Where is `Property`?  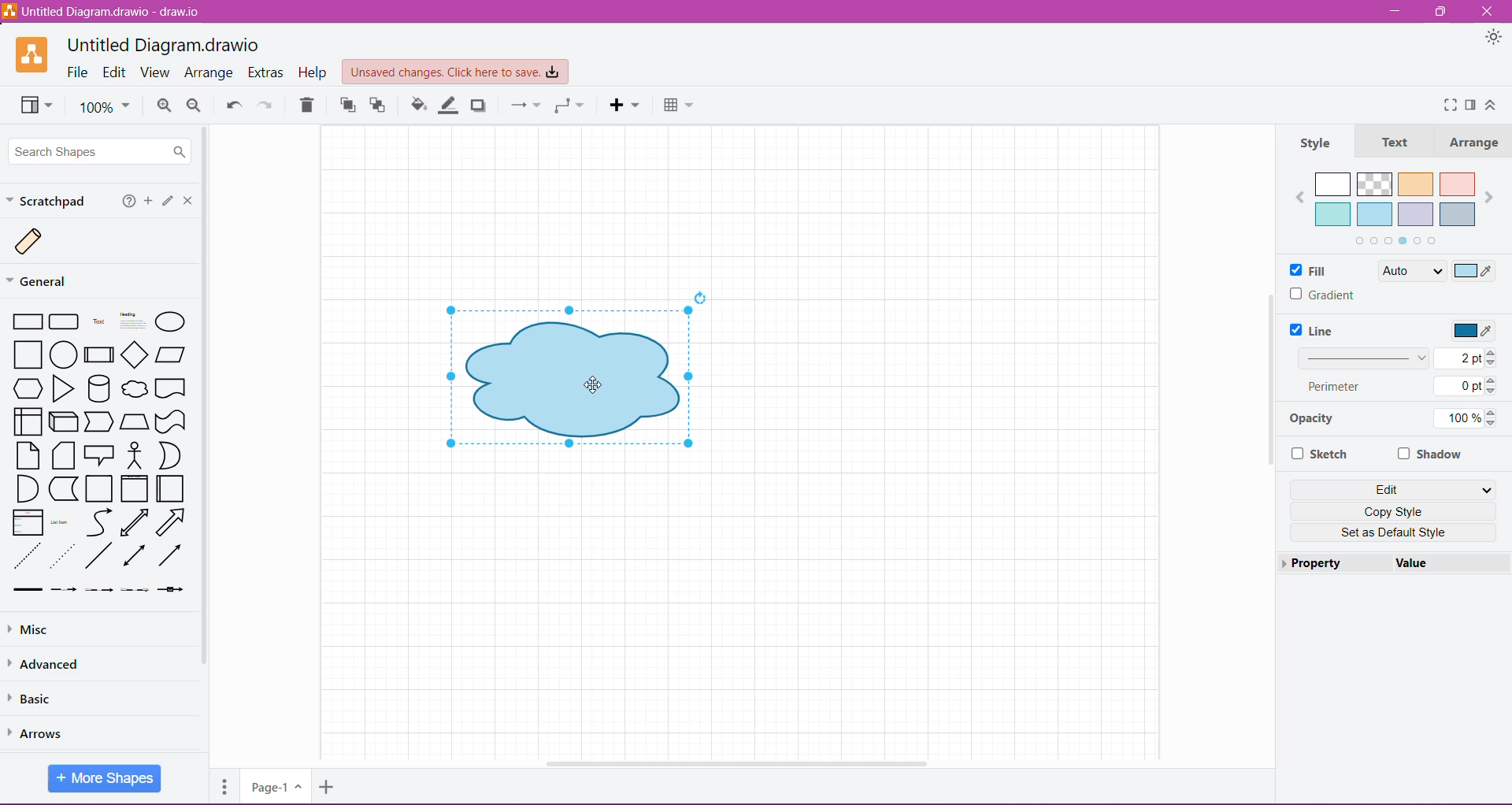
Property is located at coordinates (1332, 562).